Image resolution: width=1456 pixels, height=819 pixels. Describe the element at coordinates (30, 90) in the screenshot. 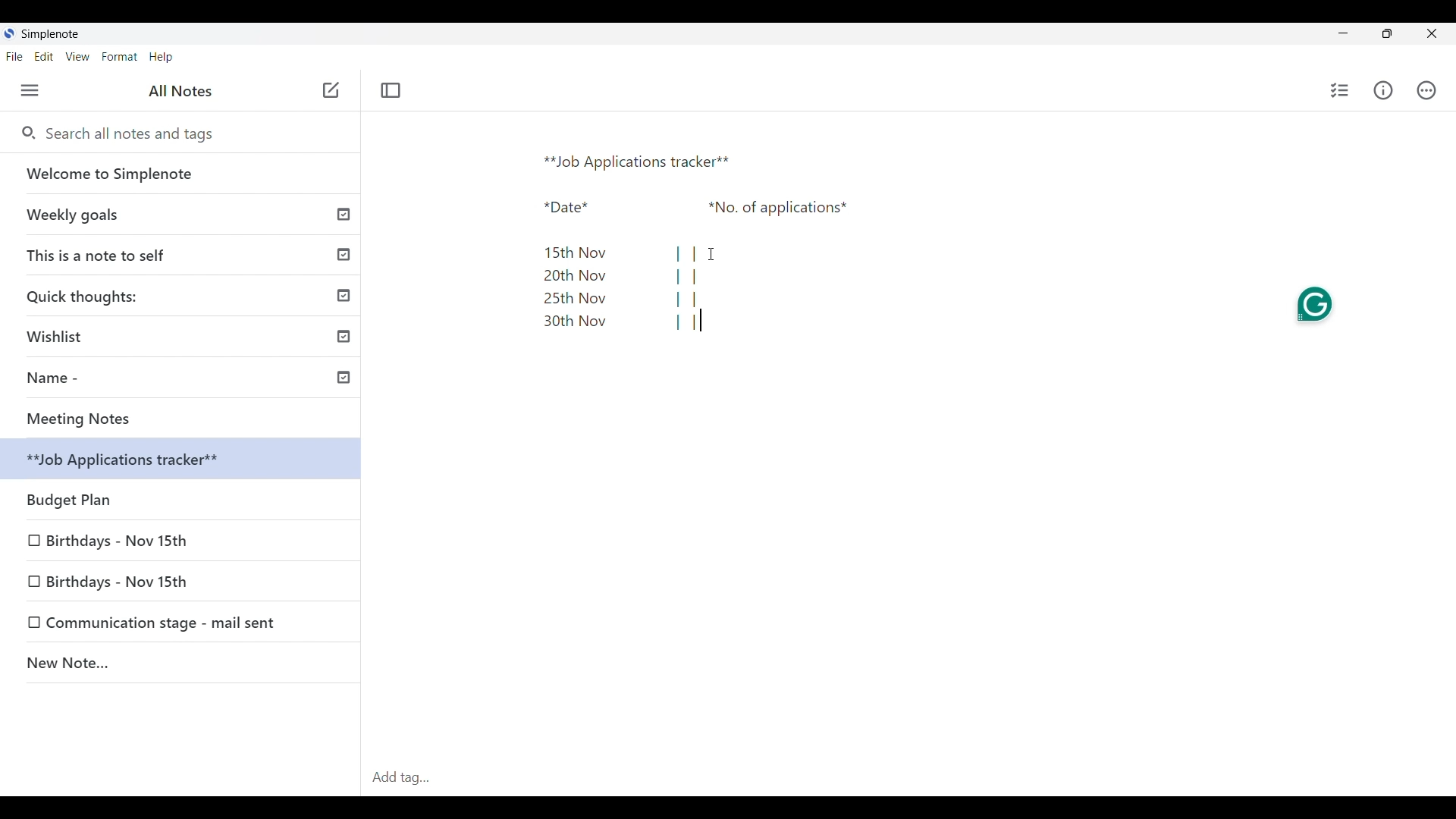

I see `Menu` at that location.